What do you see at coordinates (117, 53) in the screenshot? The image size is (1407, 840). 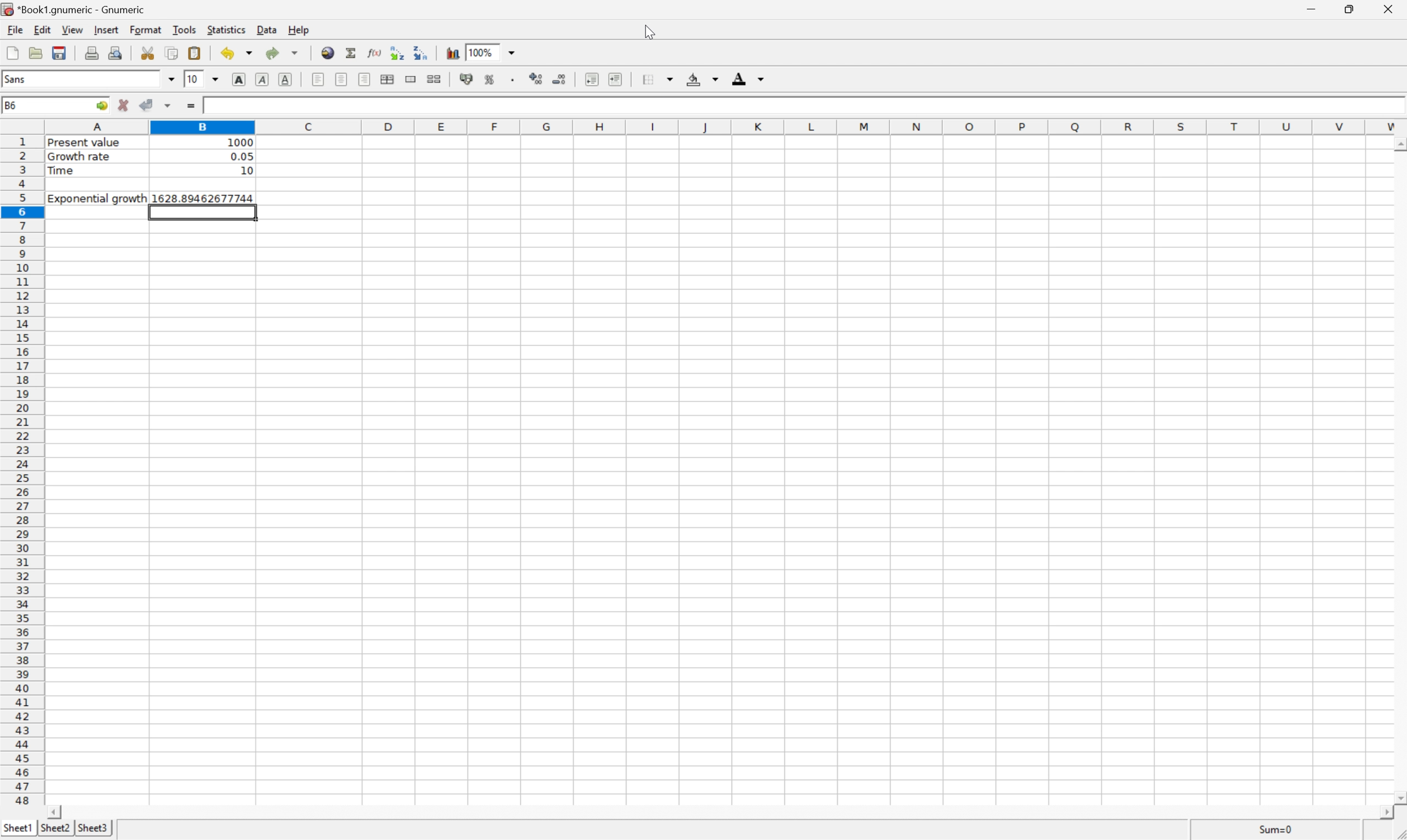 I see `Print preview` at bounding box center [117, 53].